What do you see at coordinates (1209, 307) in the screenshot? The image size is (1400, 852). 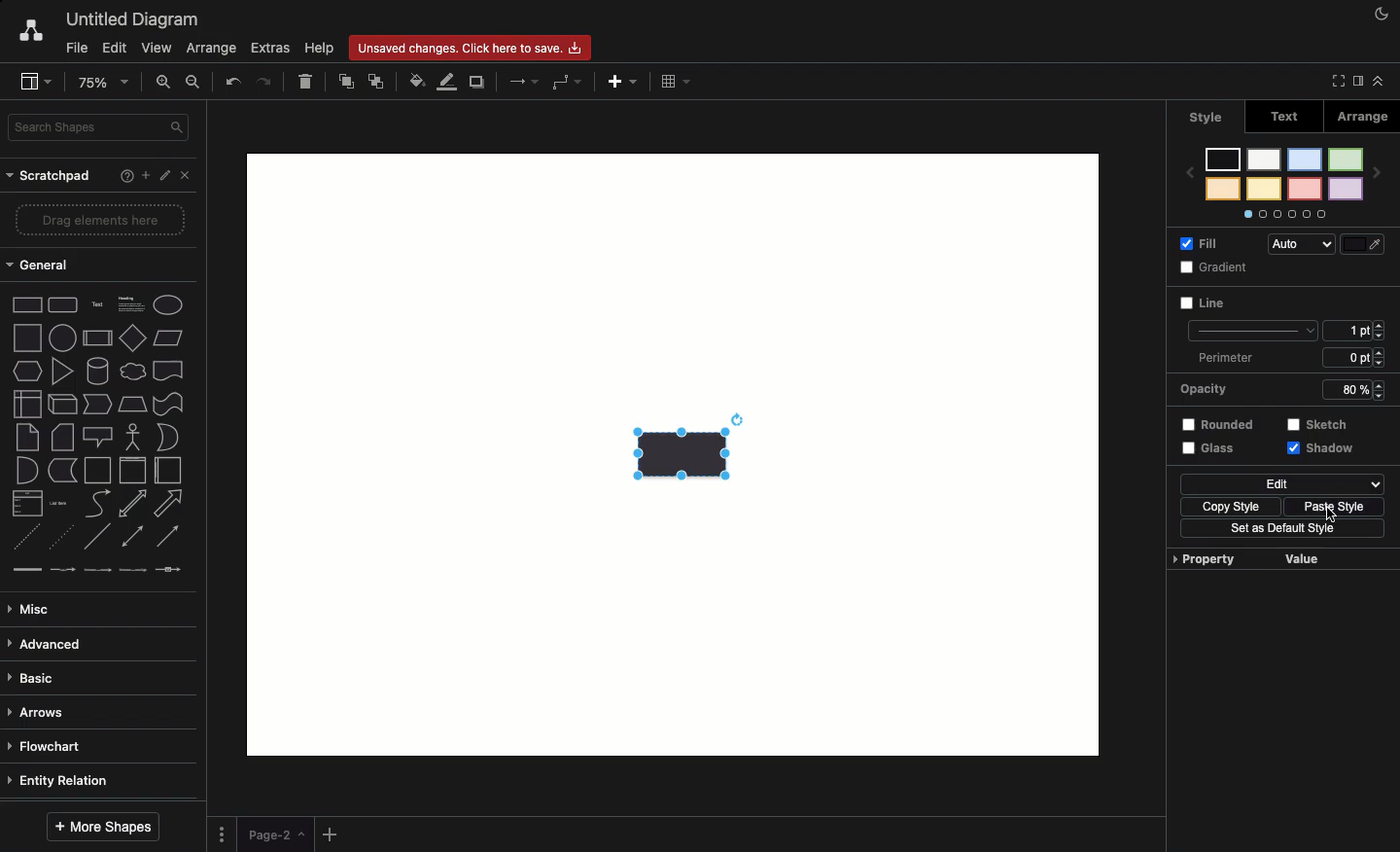 I see `Line` at bounding box center [1209, 307].